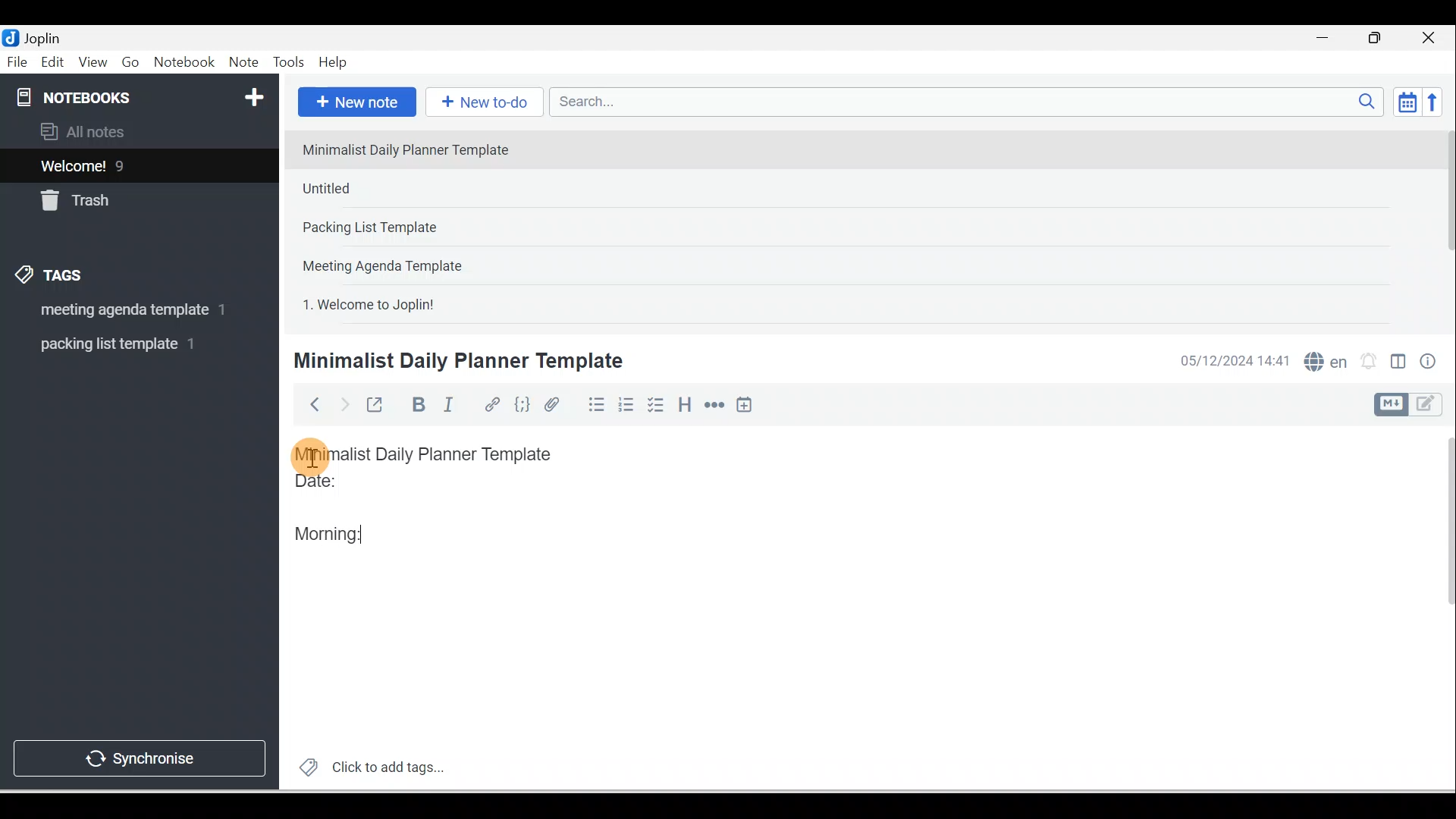 This screenshot has width=1456, height=819. I want to click on Note 3, so click(418, 228).